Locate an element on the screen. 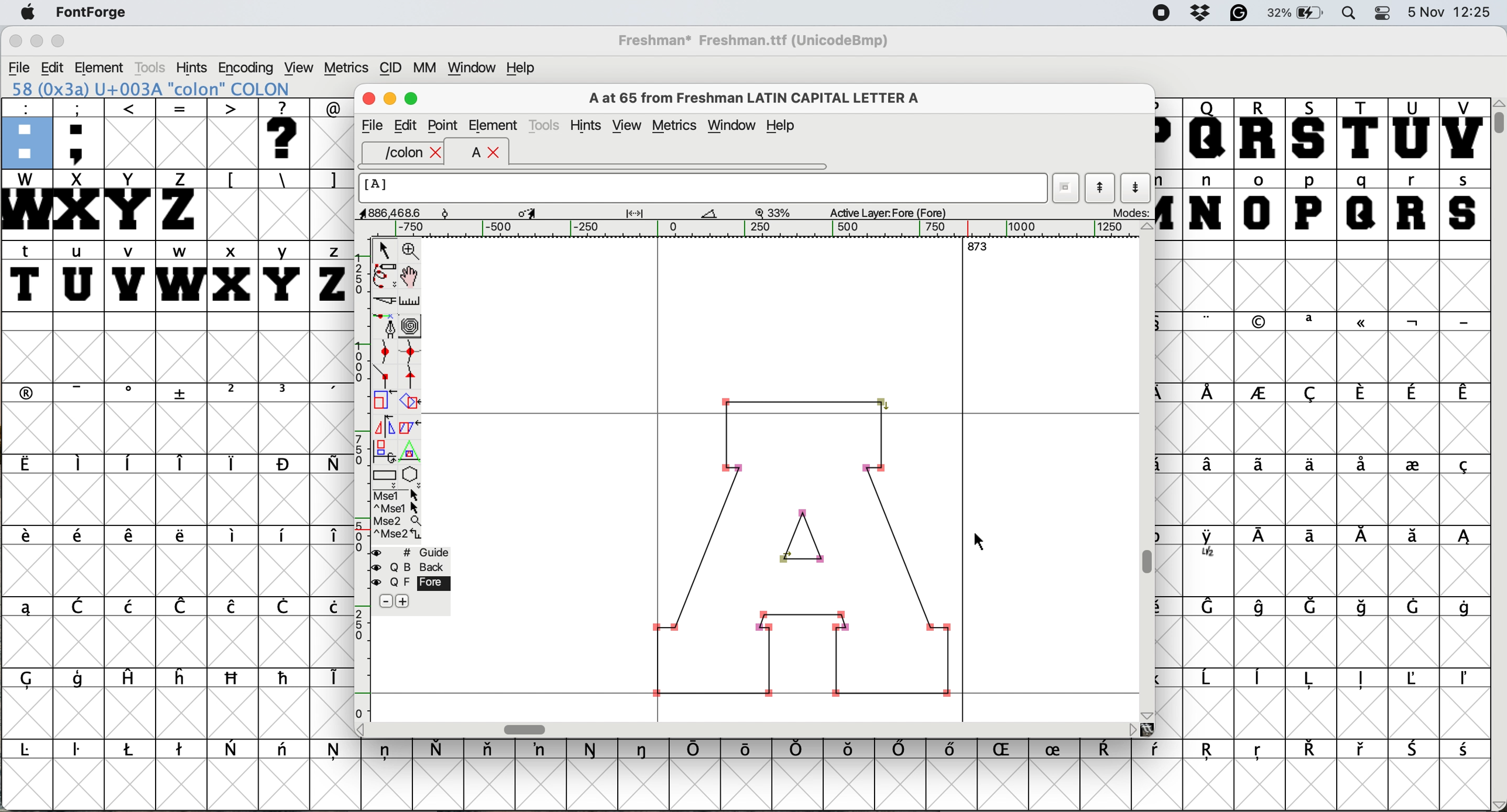 The image size is (1507, 812). symbol is located at coordinates (387, 752).